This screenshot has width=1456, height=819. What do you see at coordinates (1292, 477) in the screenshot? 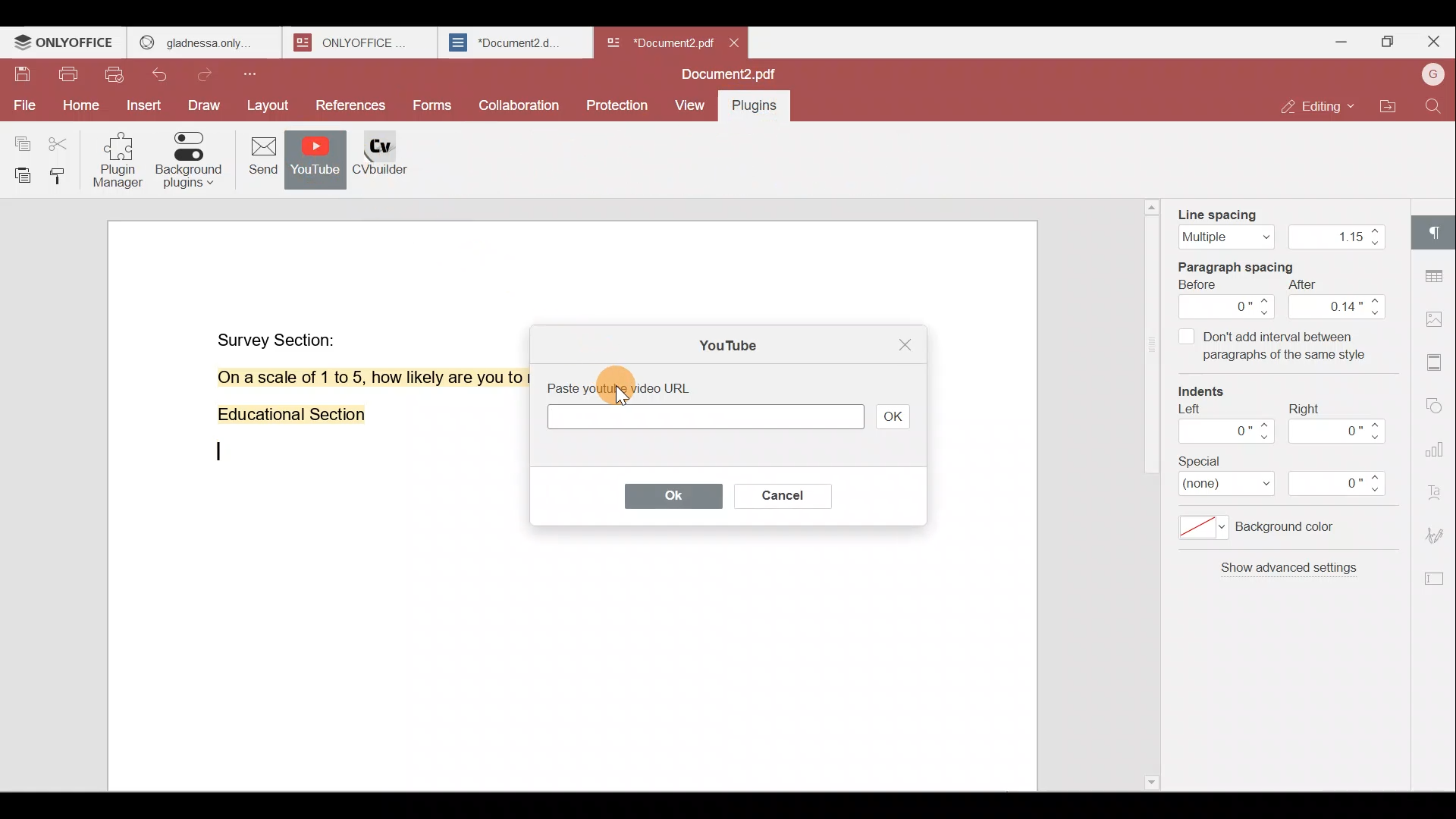
I see `Special` at bounding box center [1292, 477].